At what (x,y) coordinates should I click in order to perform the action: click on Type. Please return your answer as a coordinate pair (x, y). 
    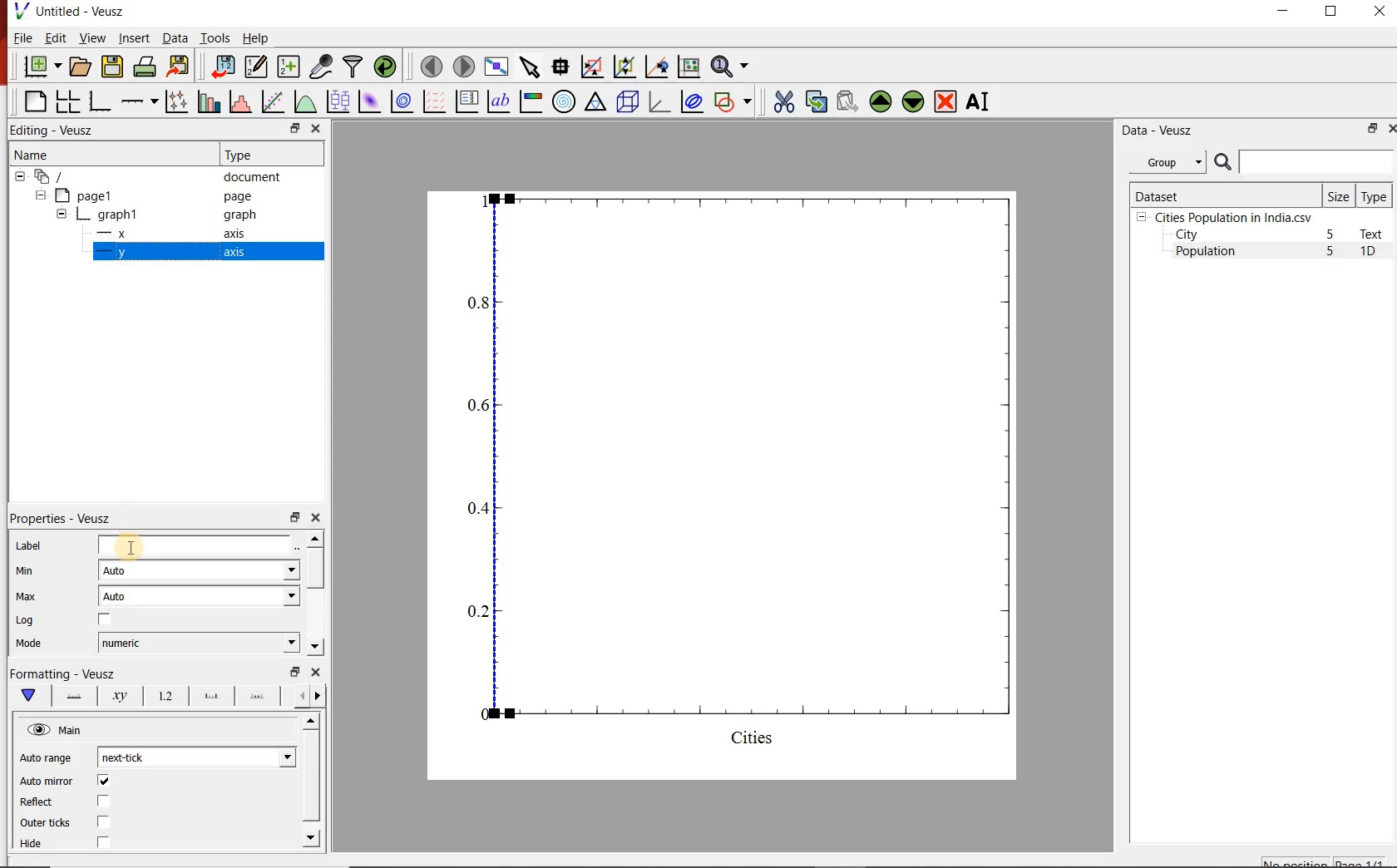
    Looking at the image, I should click on (1375, 195).